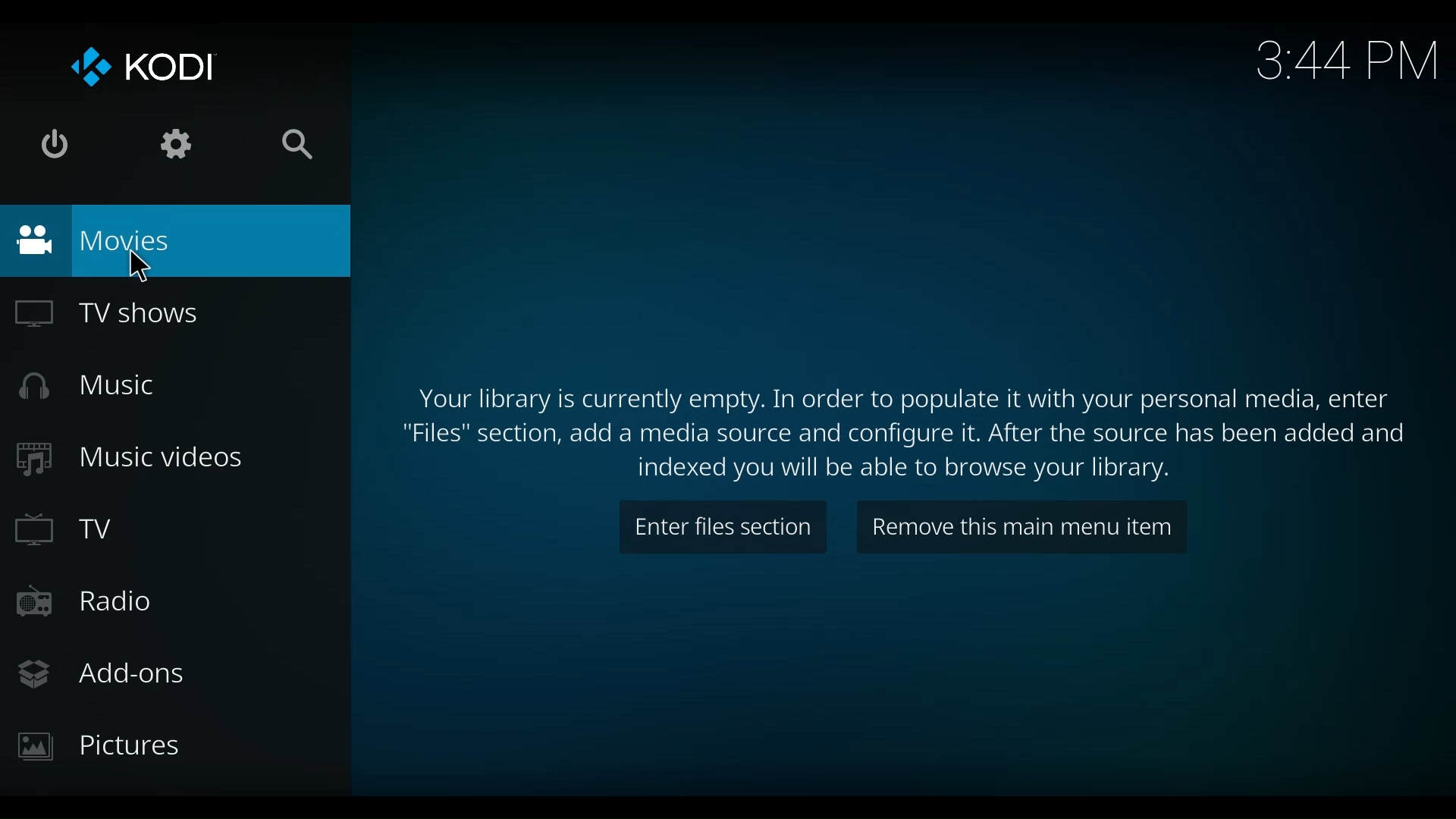 The width and height of the screenshot is (1456, 819). I want to click on Time, so click(1349, 63).